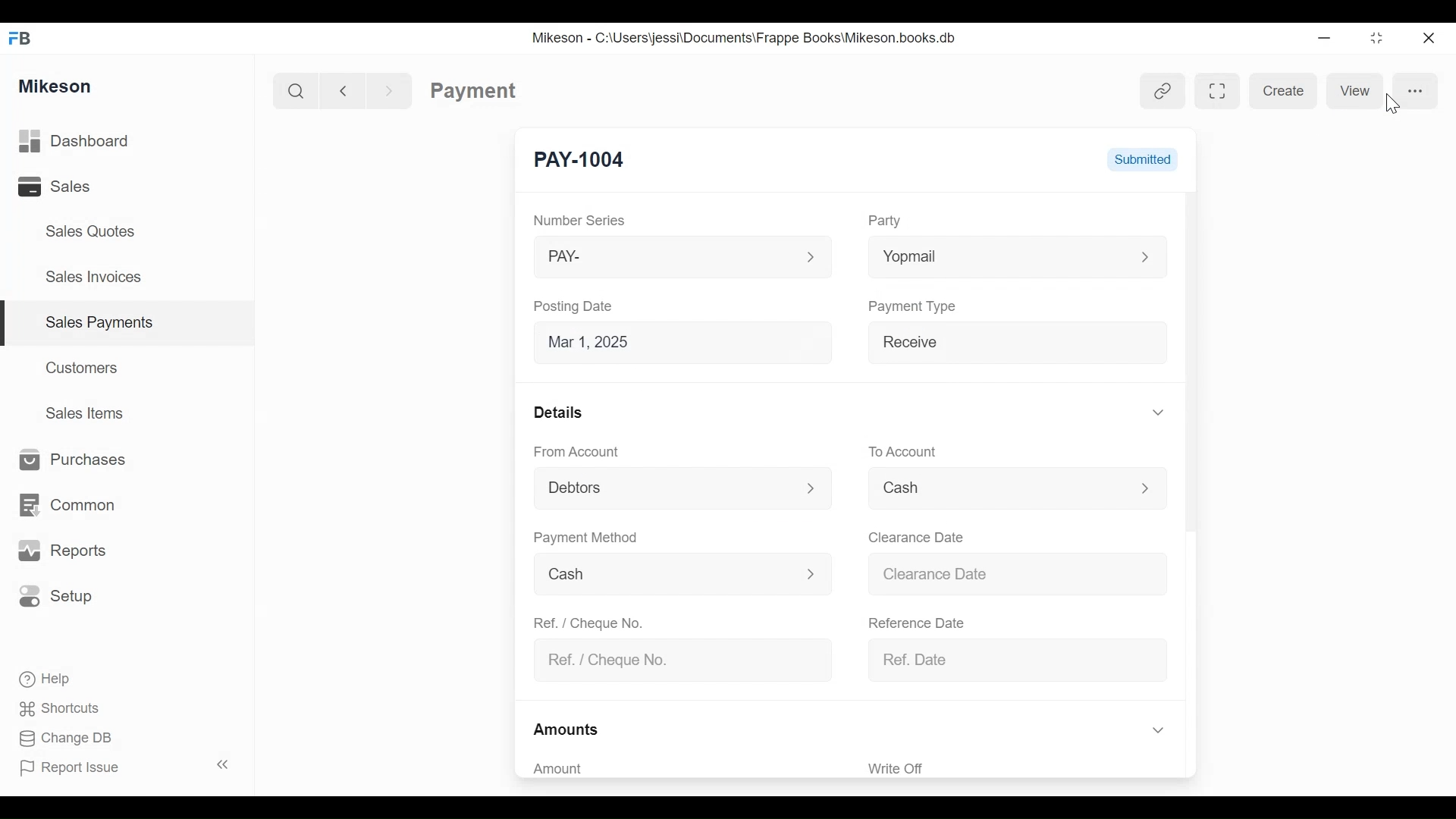 The width and height of the screenshot is (1456, 819). I want to click on Clearance date, so click(1023, 573).